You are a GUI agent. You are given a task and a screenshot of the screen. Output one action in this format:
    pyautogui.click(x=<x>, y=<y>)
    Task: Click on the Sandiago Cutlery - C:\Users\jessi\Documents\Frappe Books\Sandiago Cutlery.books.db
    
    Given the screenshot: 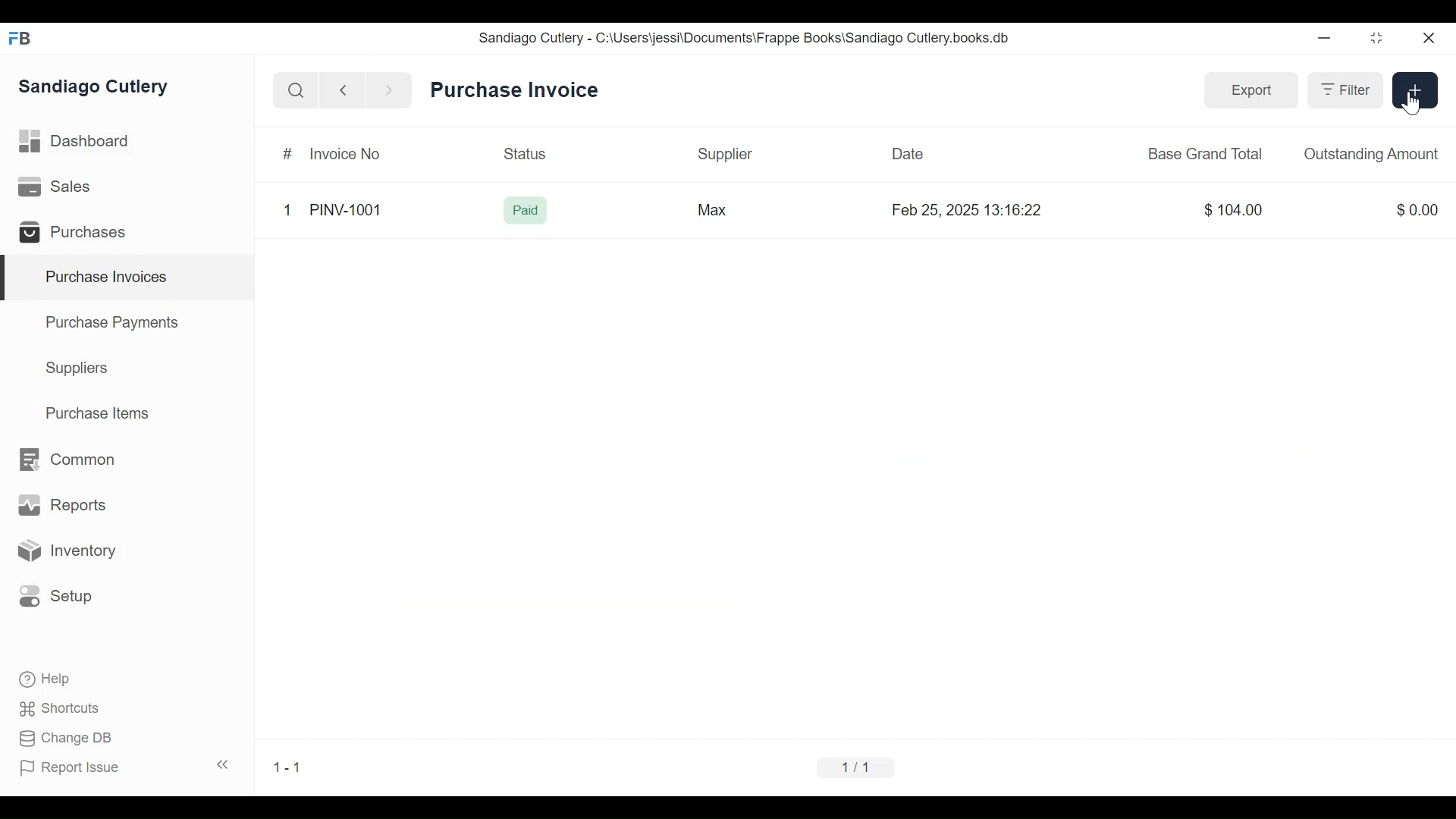 What is the action you would take?
    pyautogui.click(x=745, y=38)
    